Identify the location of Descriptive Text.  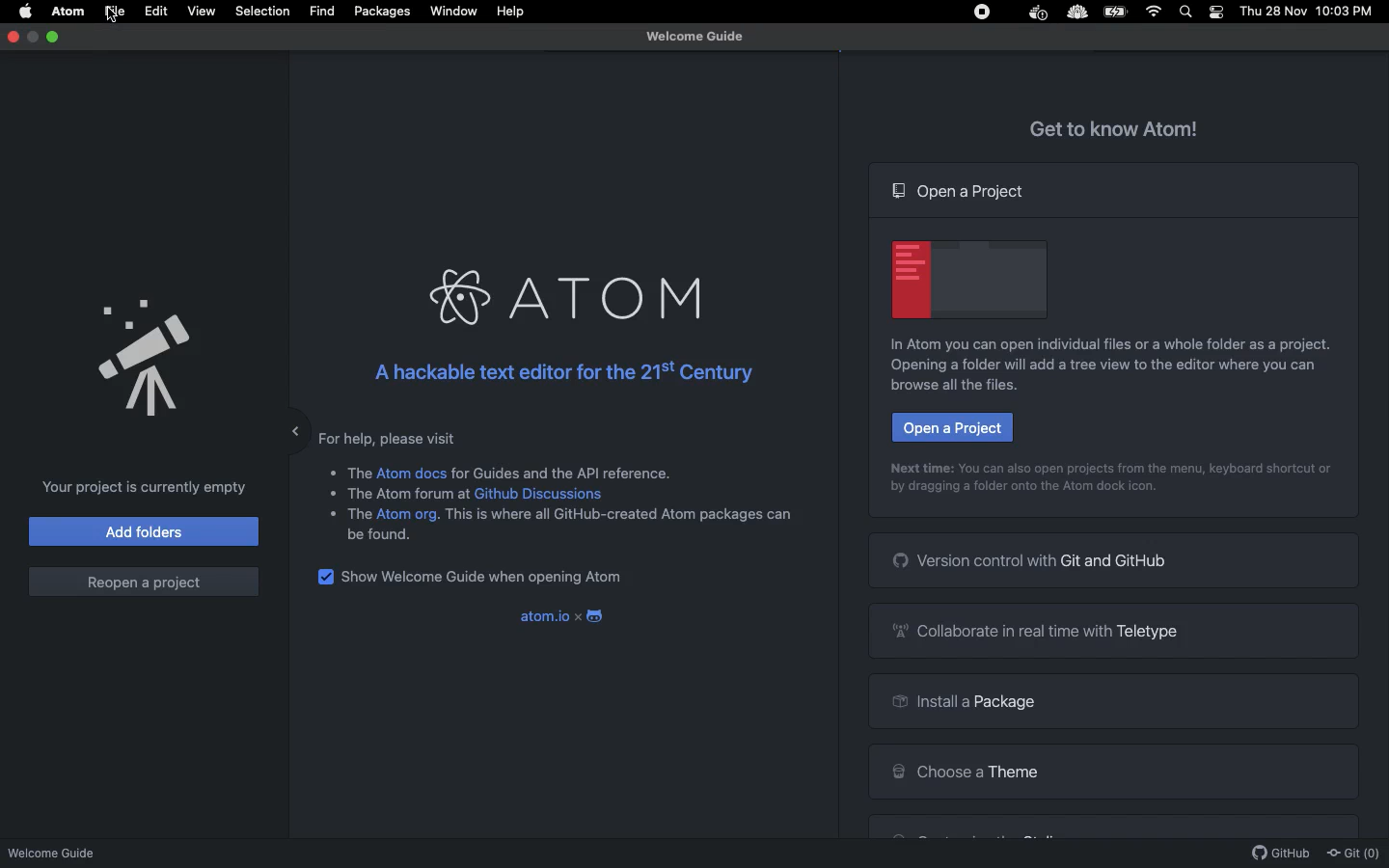
(567, 471).